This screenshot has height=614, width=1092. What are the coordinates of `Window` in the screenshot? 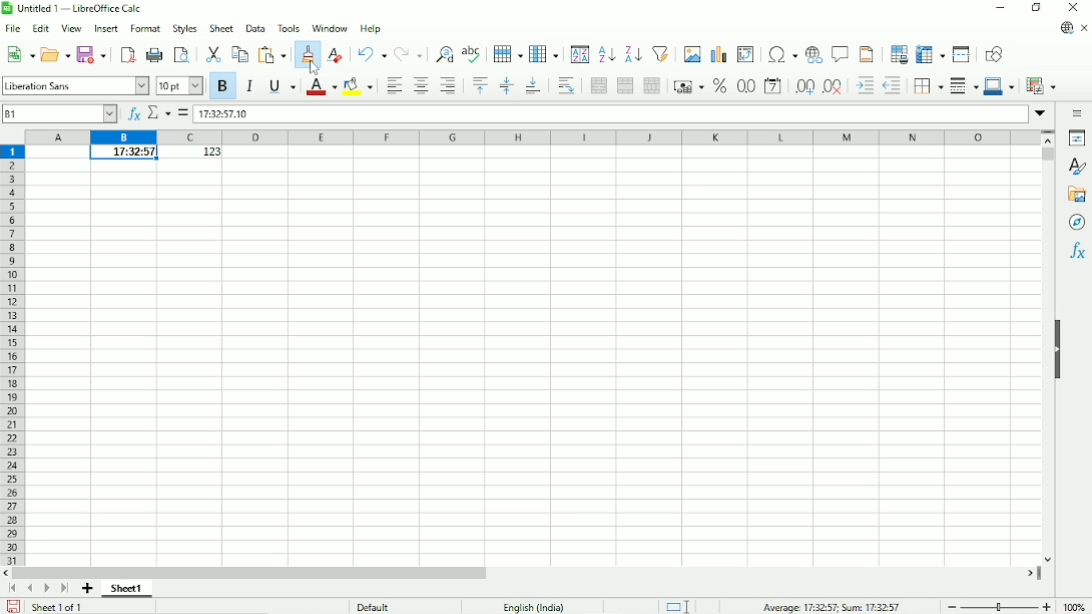 It's located at (328, 28).